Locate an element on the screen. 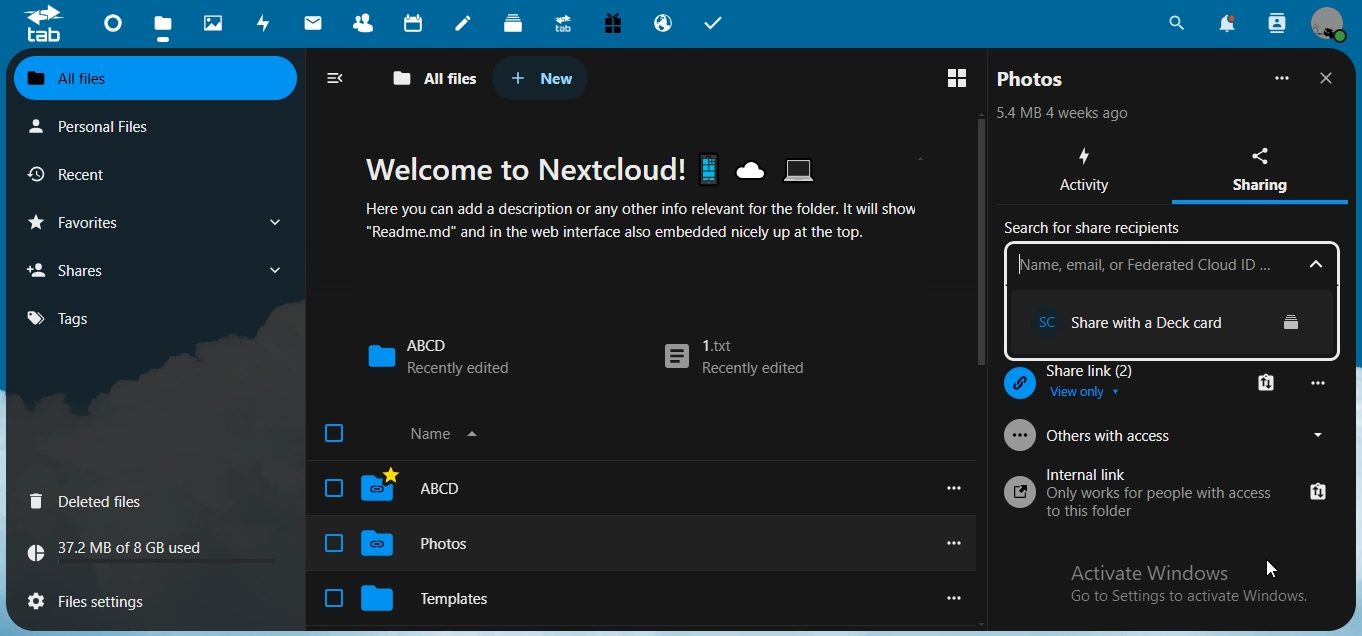  internal link is located at coordinates (1165, 492).